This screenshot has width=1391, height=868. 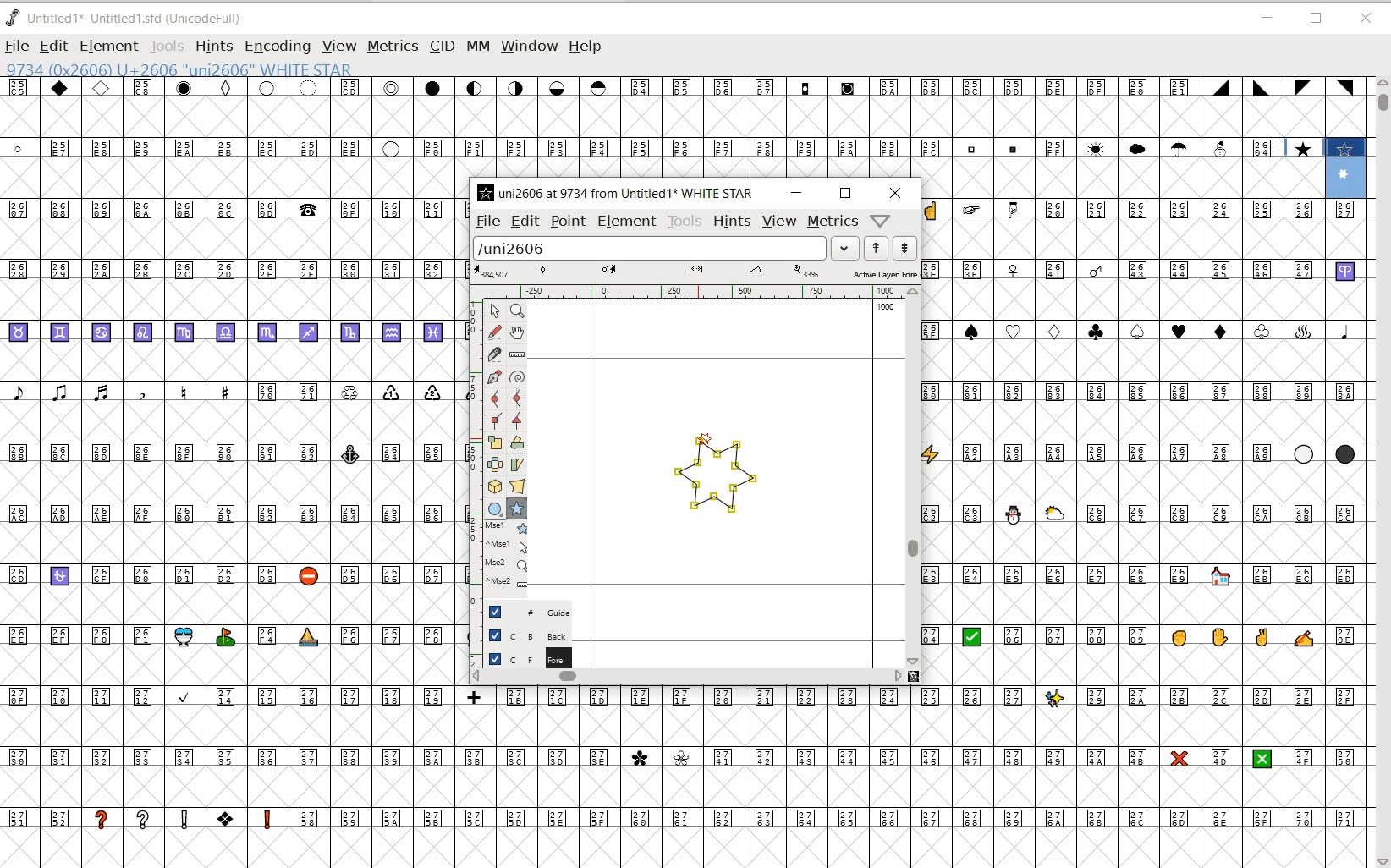 What do you see at coordinates (618, 192) in the screenshot?
I see `uni2606 at 9734 from Untitled 1* WHITE STAR` at bounding box center [618, 192].